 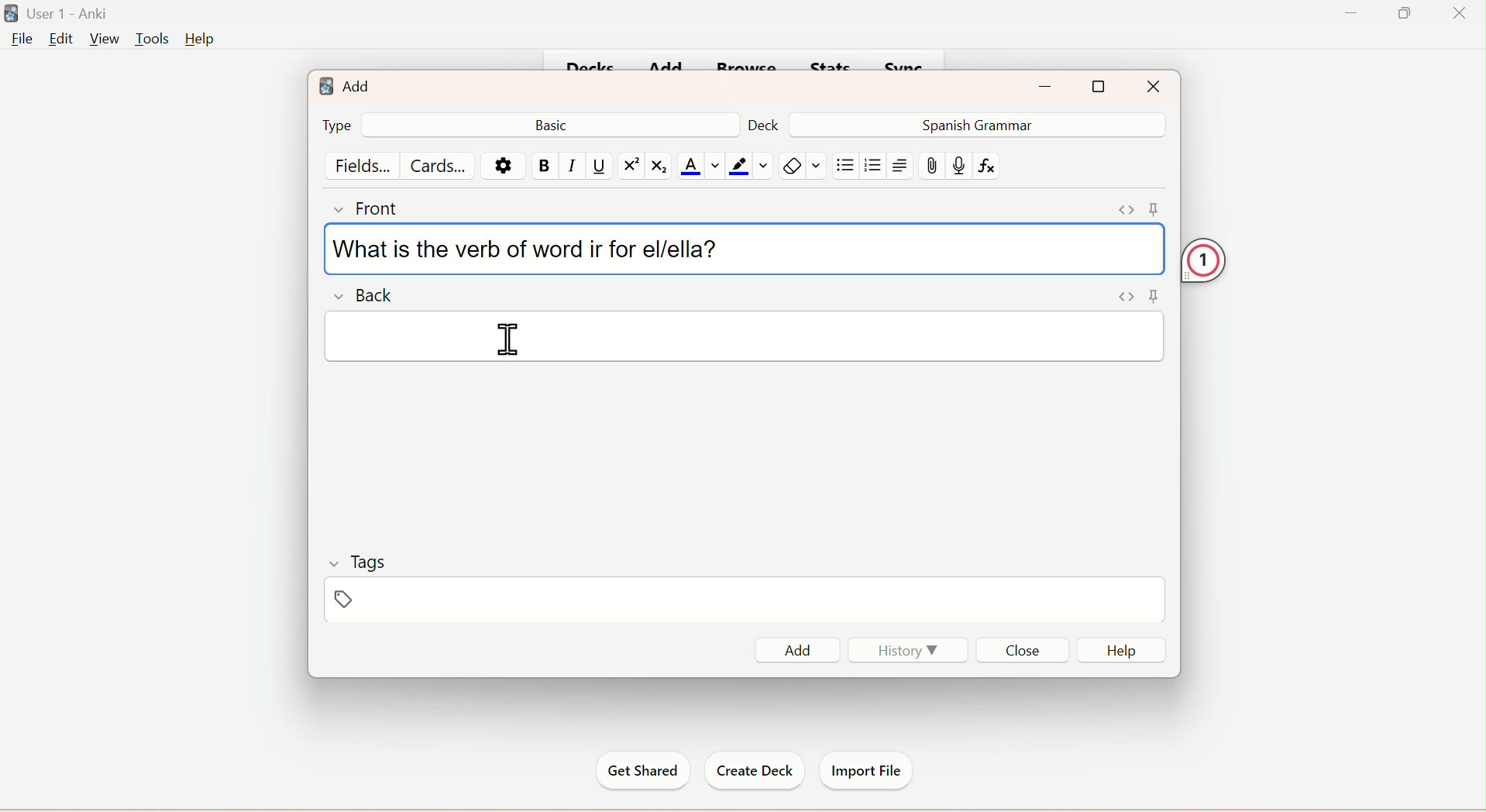 I want to click on Settings, so click(x=500, y=165).